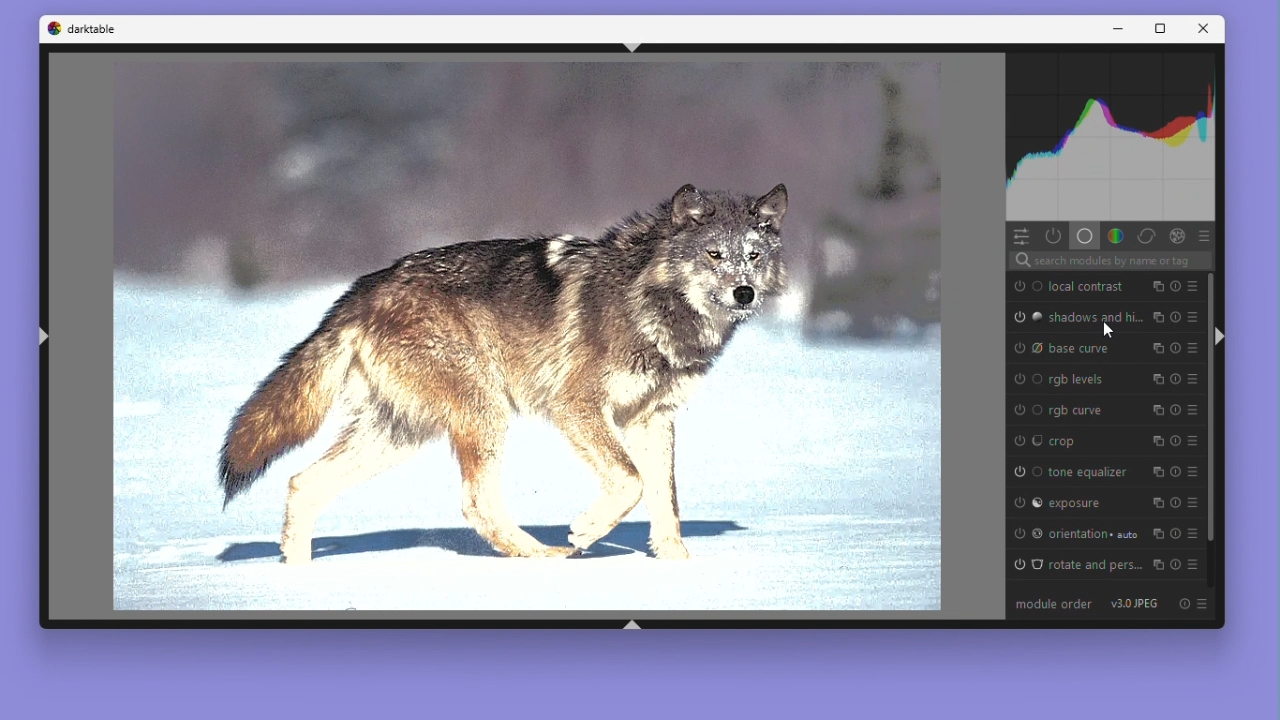  Describe the element at coordinates (1164, 30) in the screenshot. I see `Maximize` at that location.